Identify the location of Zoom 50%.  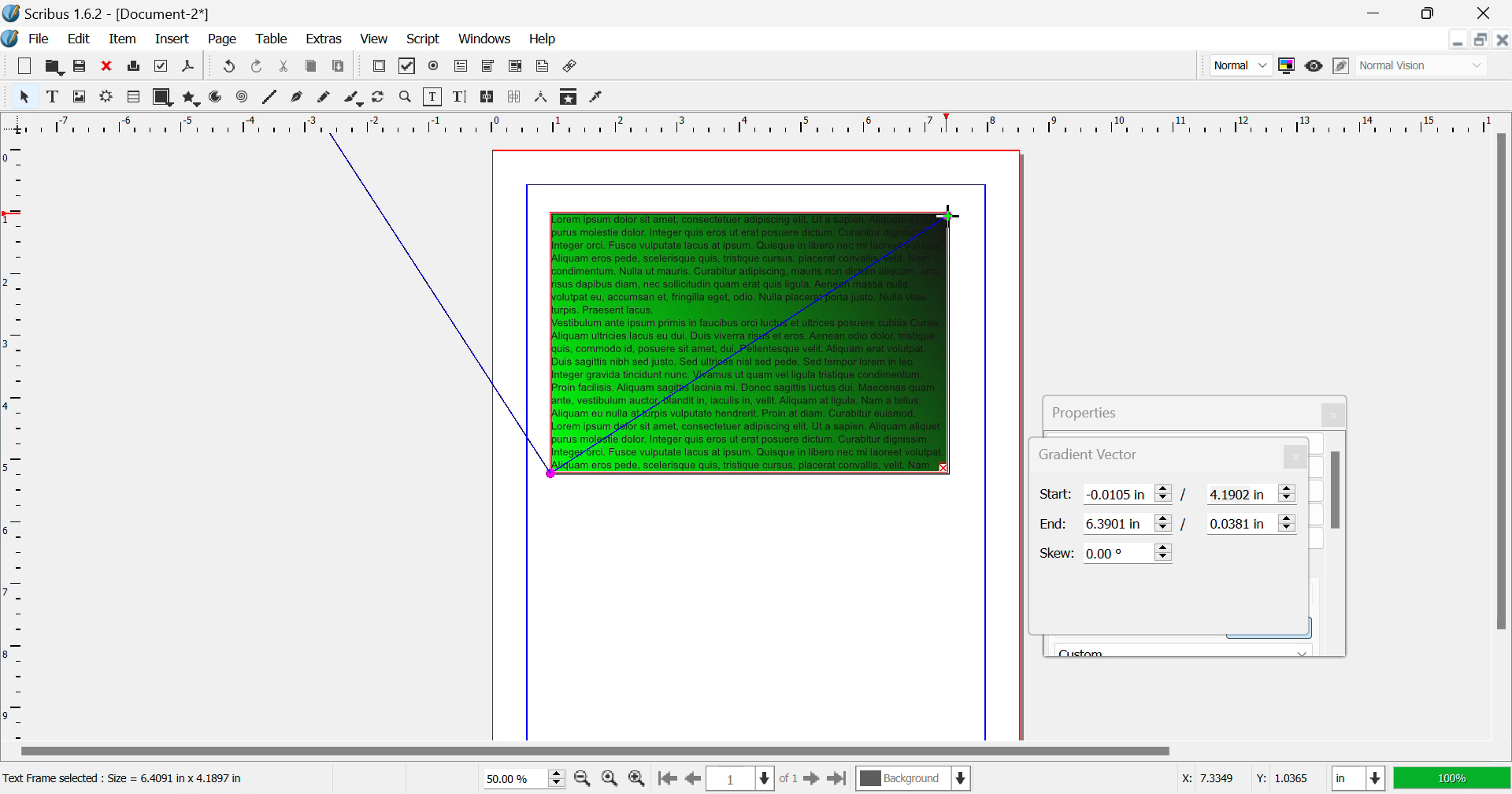
(518, 778).